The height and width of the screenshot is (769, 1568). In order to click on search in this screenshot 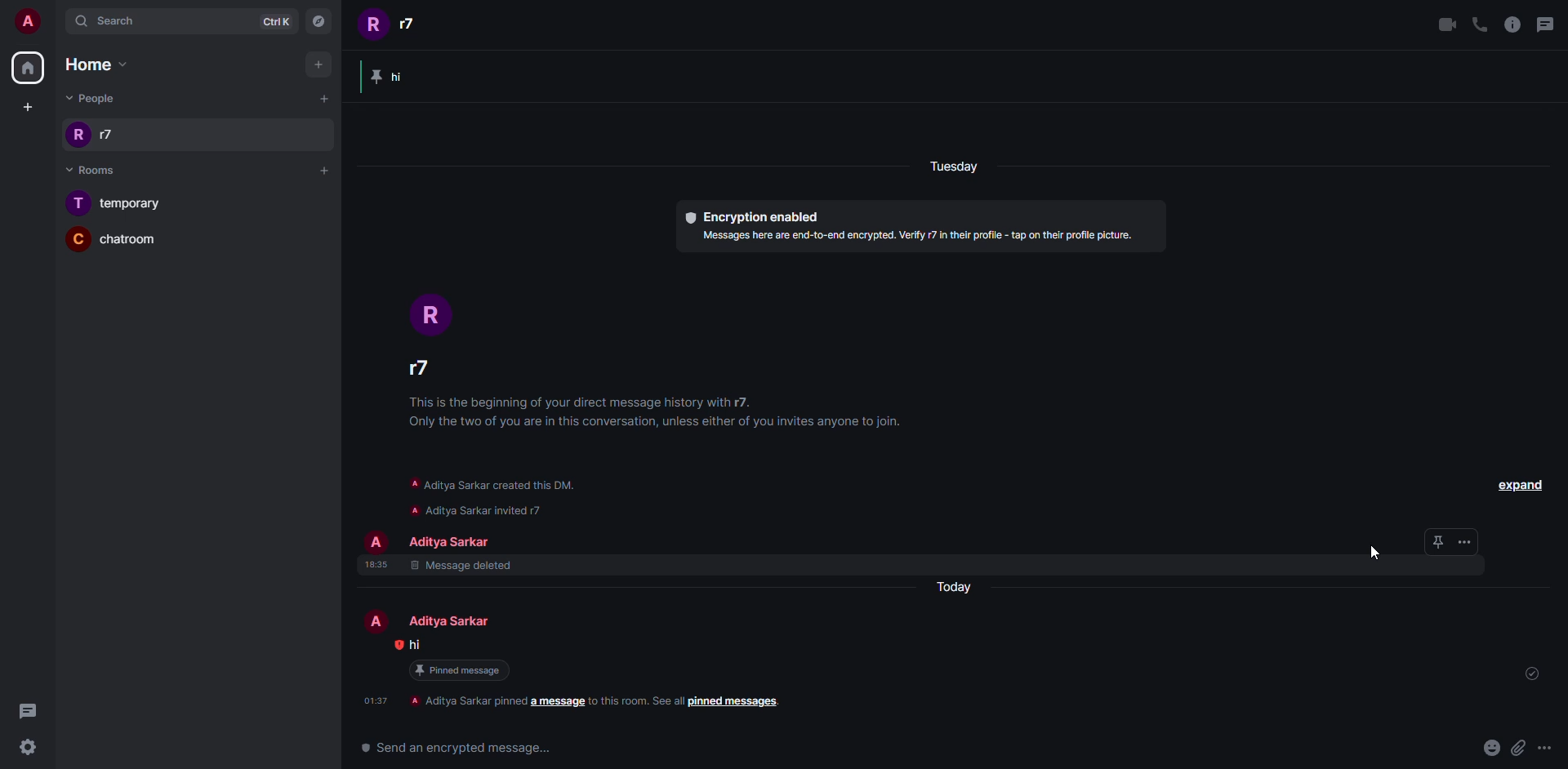, I will do `click(110, 20)`.